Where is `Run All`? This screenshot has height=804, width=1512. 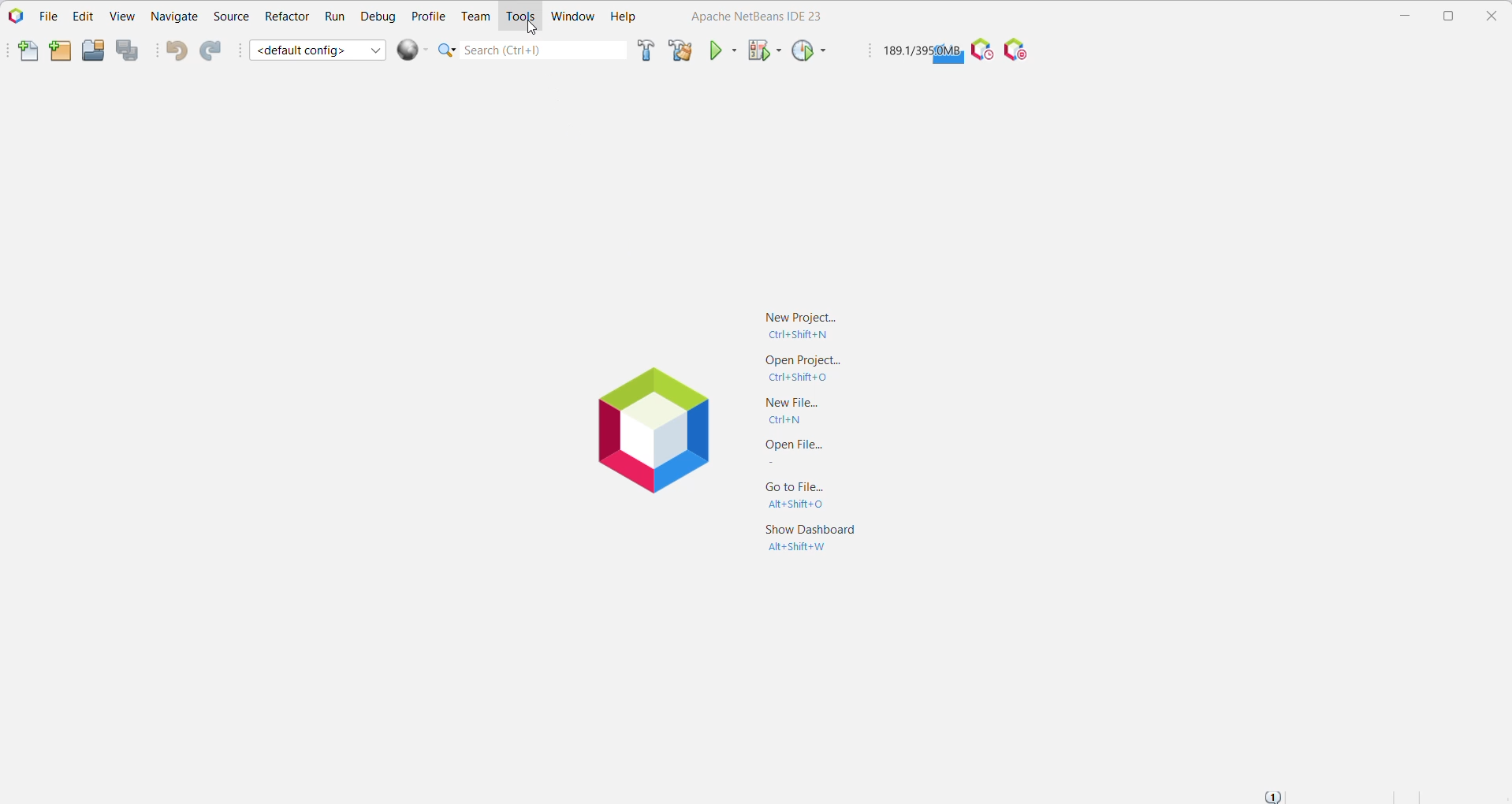 Run All is located at coordinates (413, 50).